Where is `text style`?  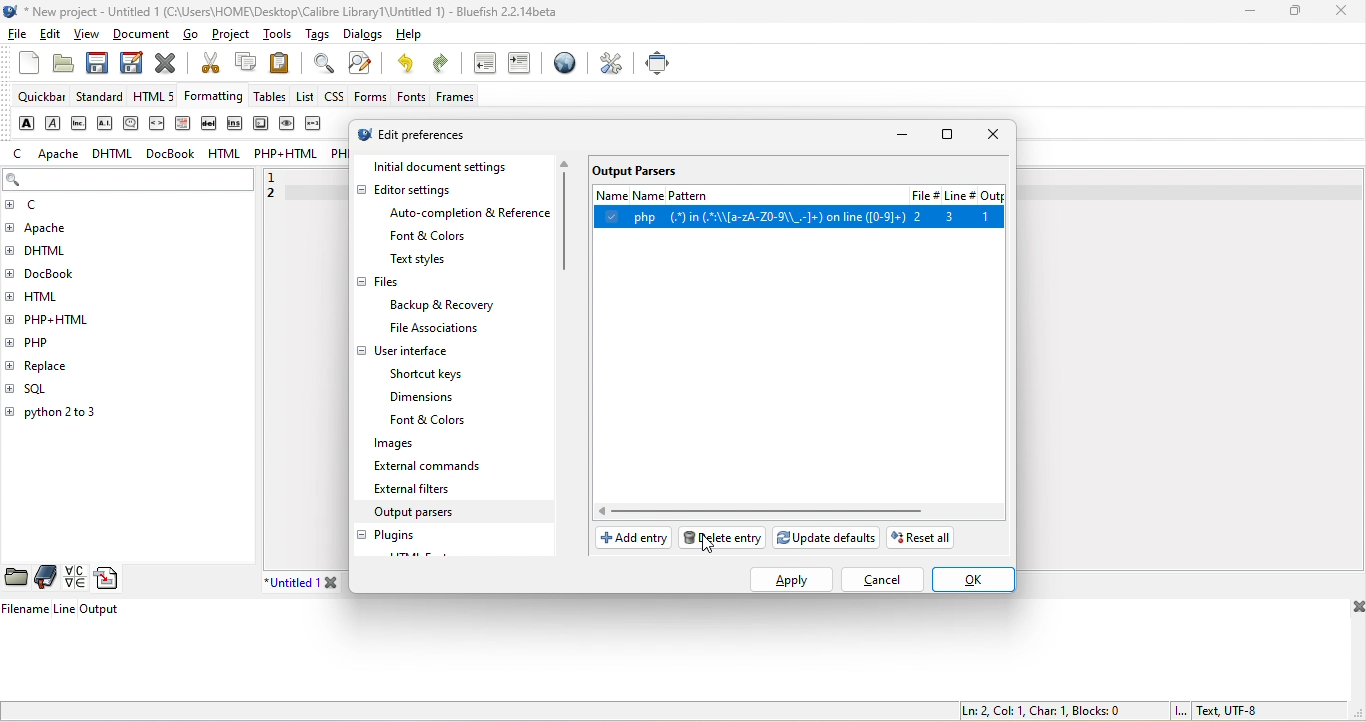
text style is located at coordinates (419, 260).